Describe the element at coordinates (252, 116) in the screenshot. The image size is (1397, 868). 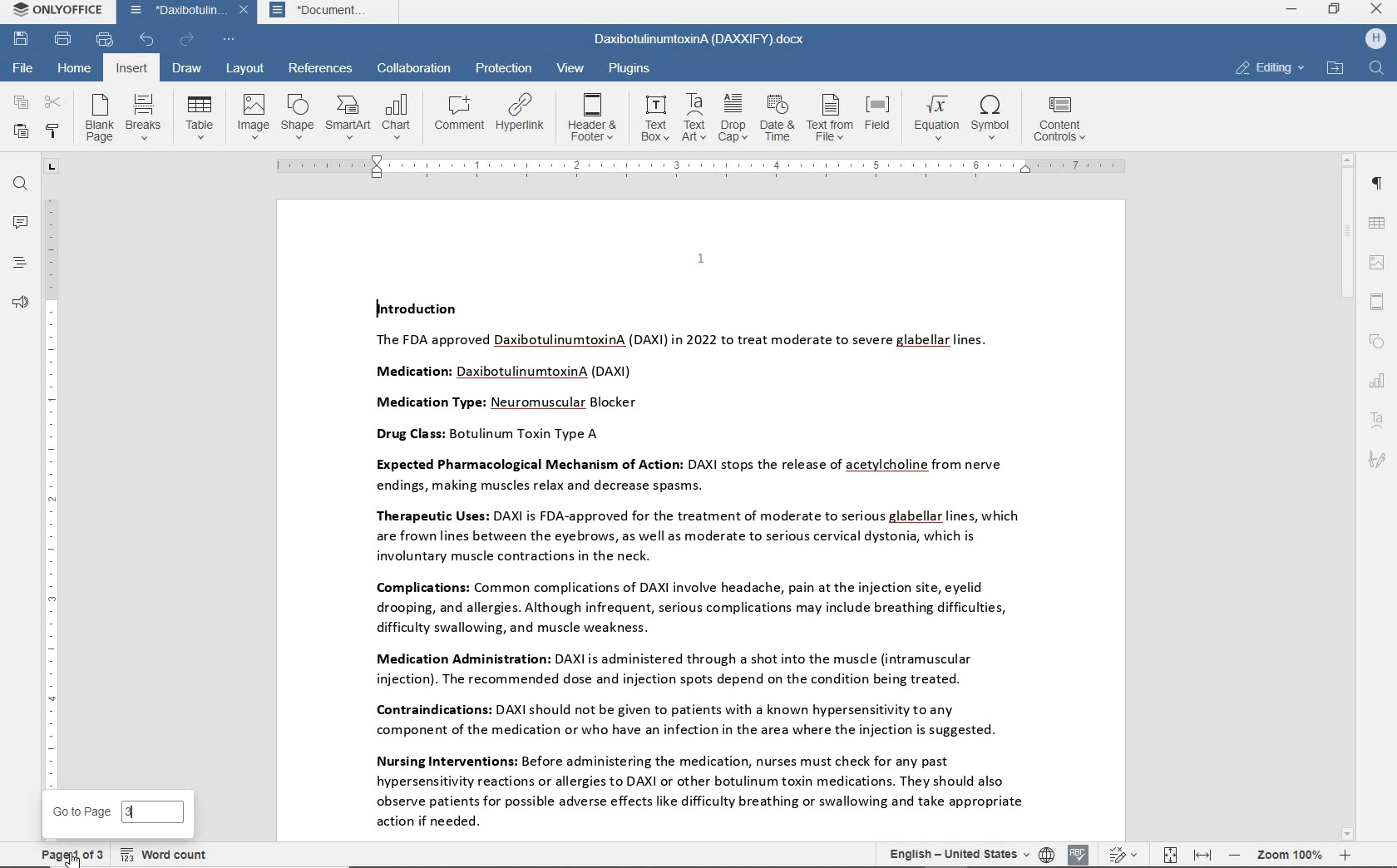
I see `image` at that location.